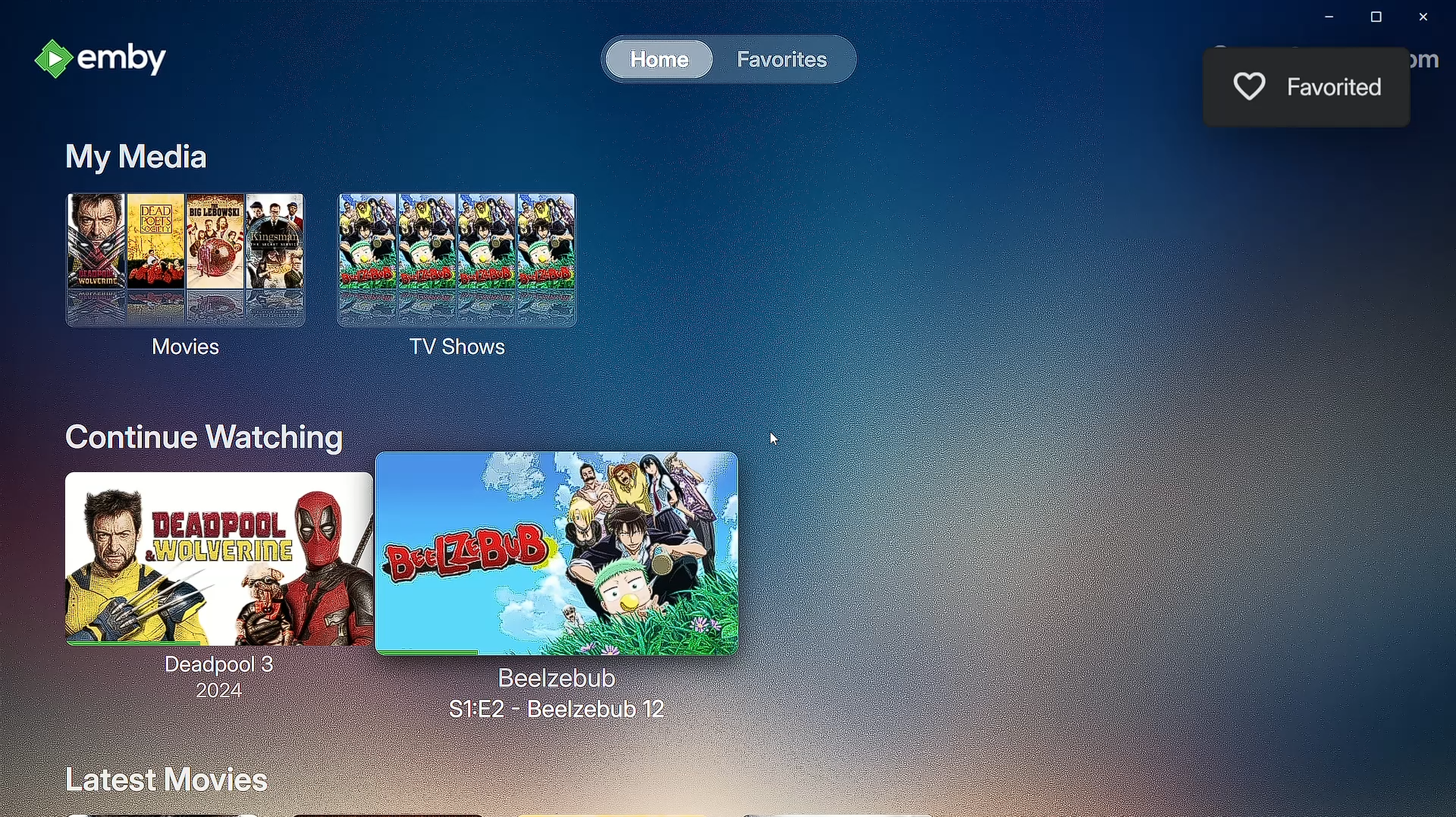 This screenshot has width=1456, height=817. Describe the element at coordinates (167, 778) in the screenshot. I see `Latest Movies` at that location.